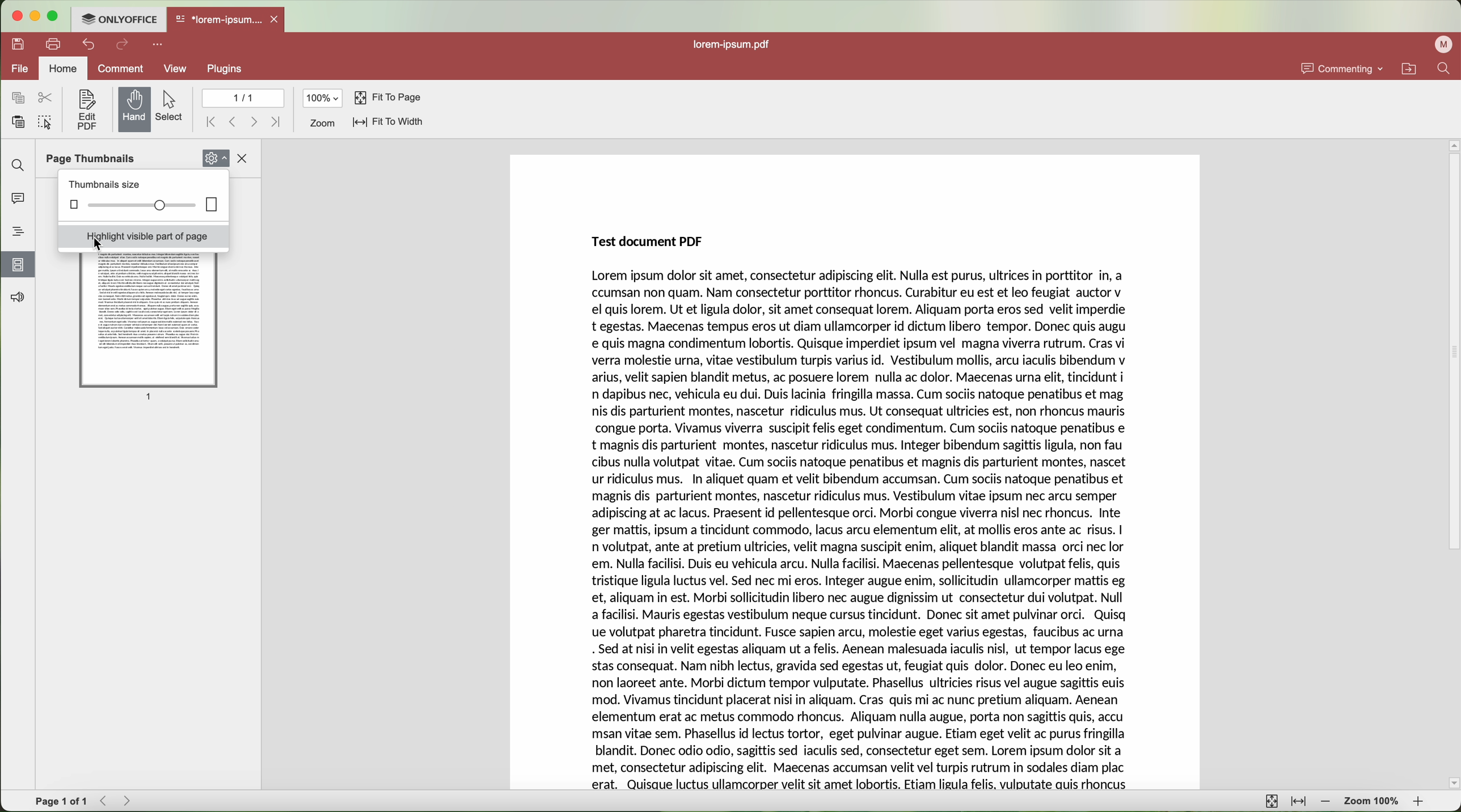 The height and width of the screenshot is (812, 1461). Describe the element at coordinates (134, 109) in the screenshot. I see `hand` at that location.